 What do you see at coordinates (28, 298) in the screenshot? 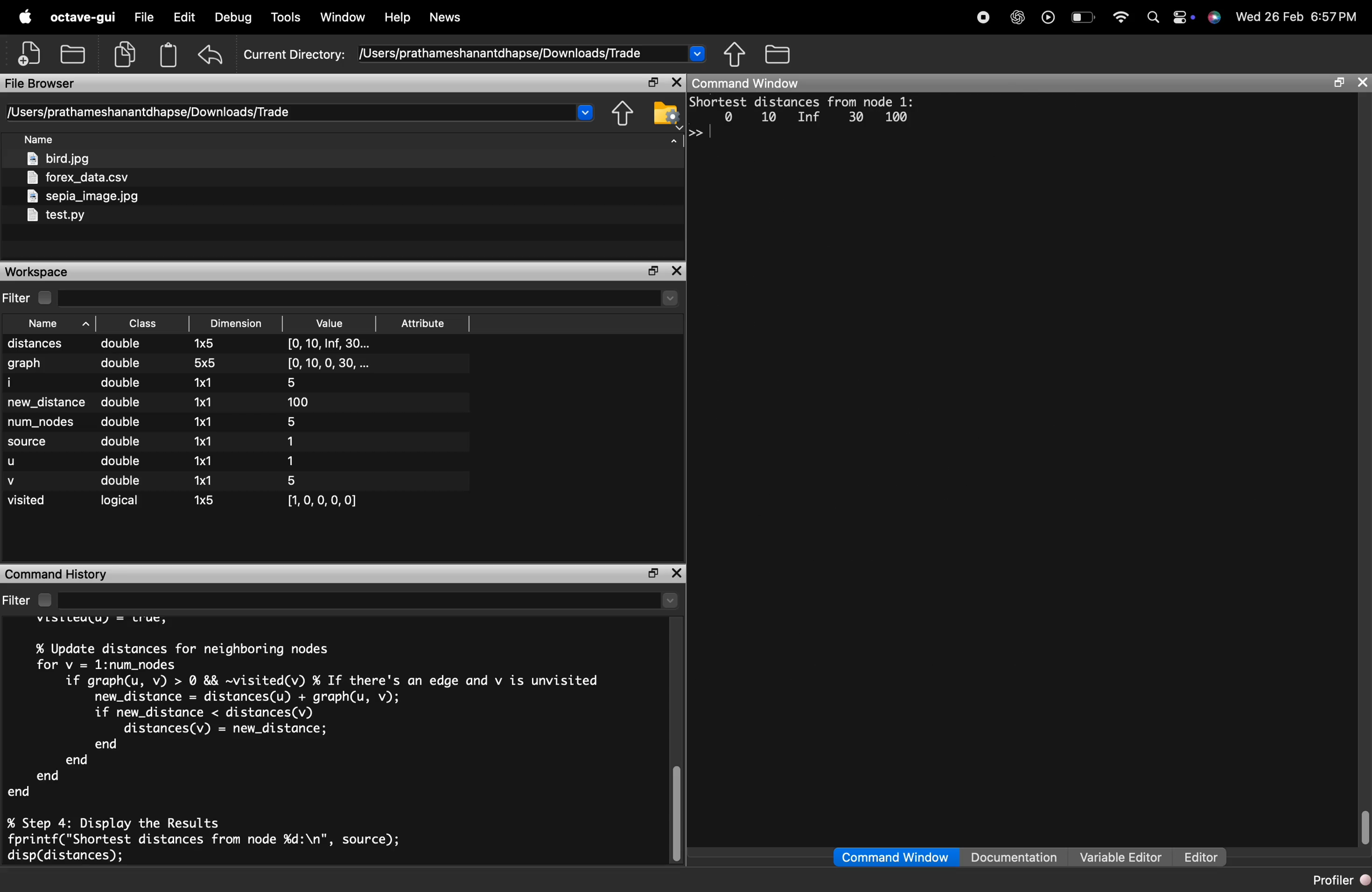
I see `filter` at bounding box center [28, 298].